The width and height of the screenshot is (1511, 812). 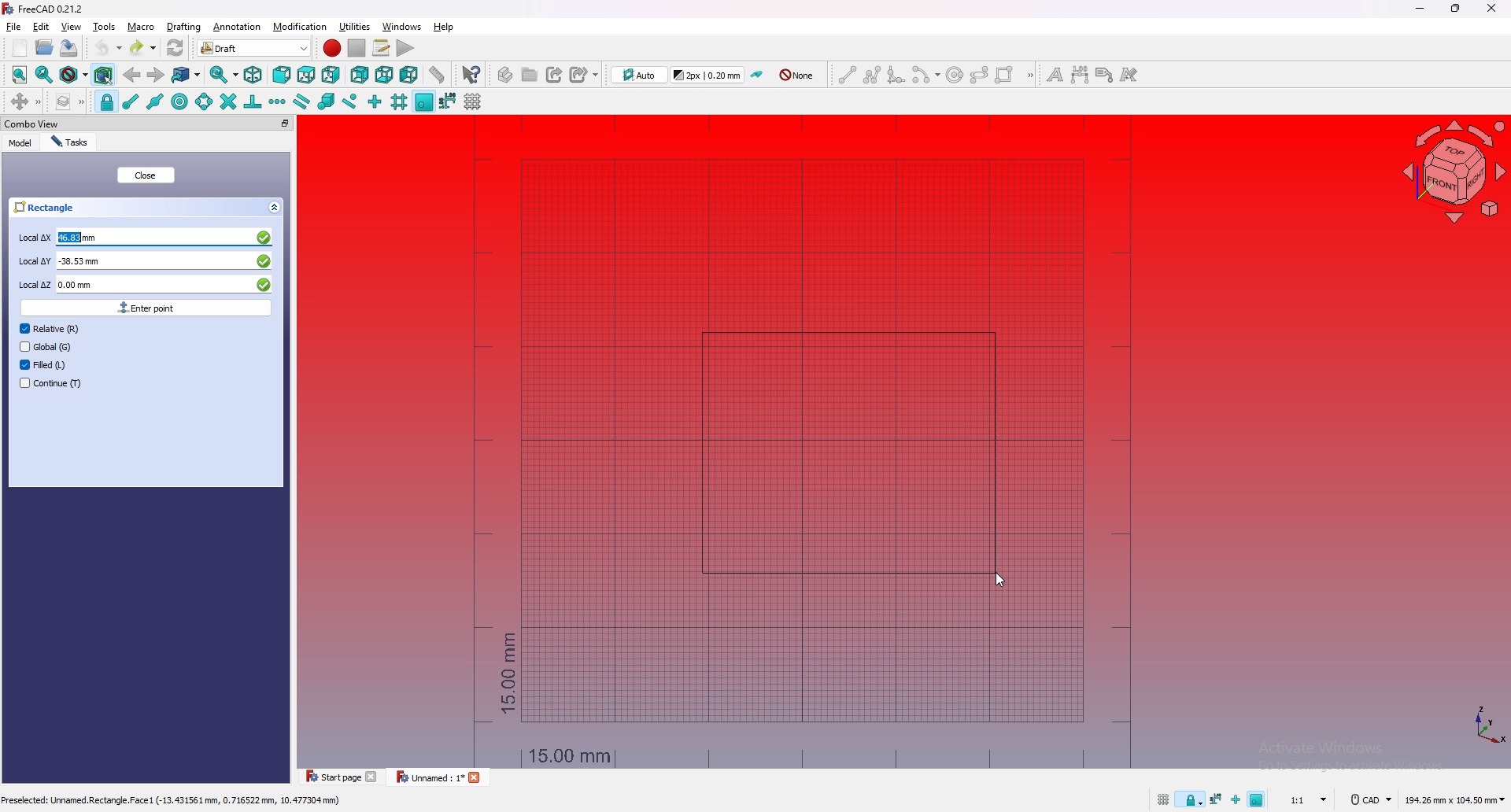 What do you see at coordinates (360, 76) in the screenshot?
I see `rear` at bounding box center [360, 76].